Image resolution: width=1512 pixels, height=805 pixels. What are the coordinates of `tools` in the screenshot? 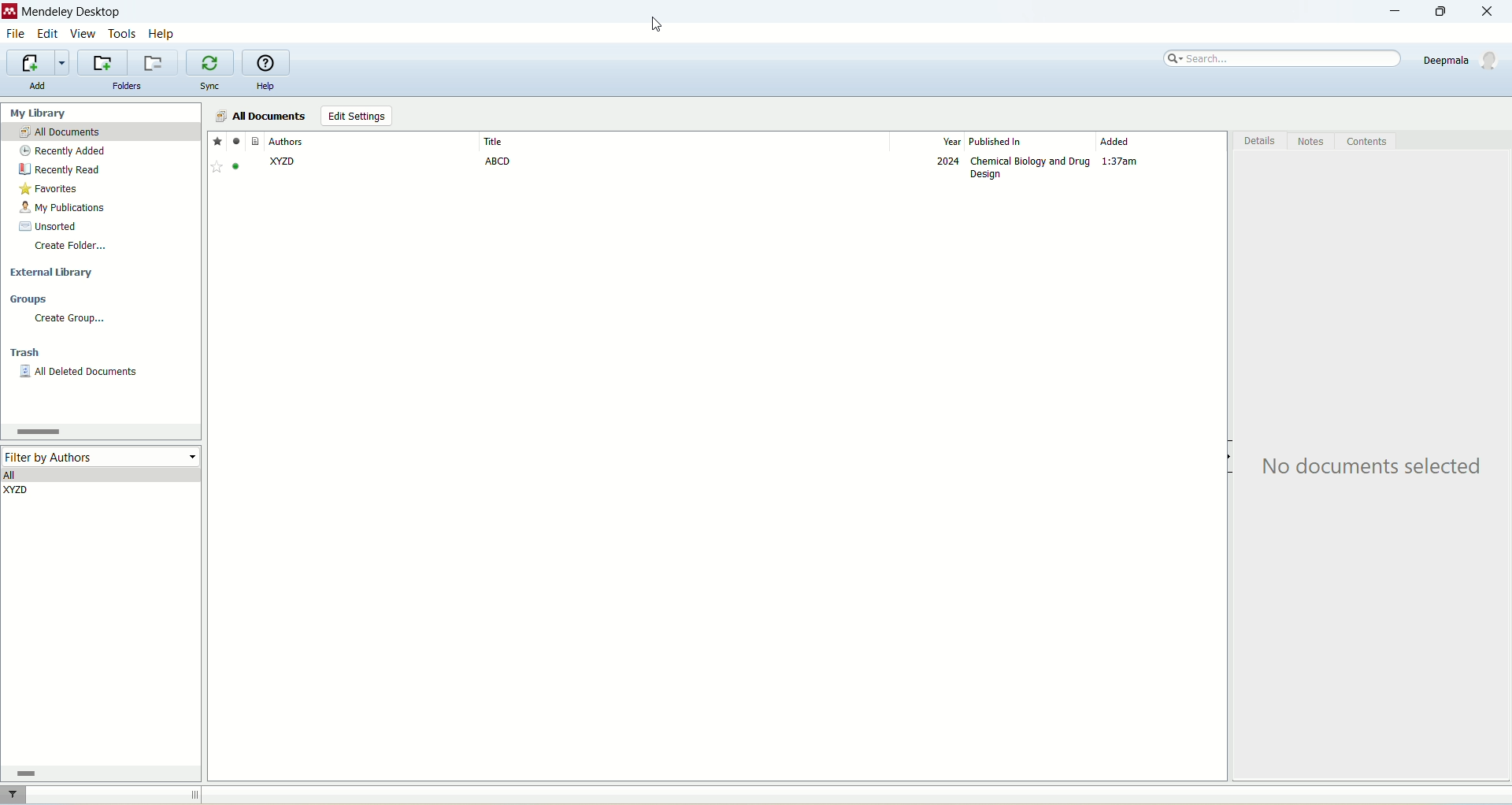 It's located at (123, 32).